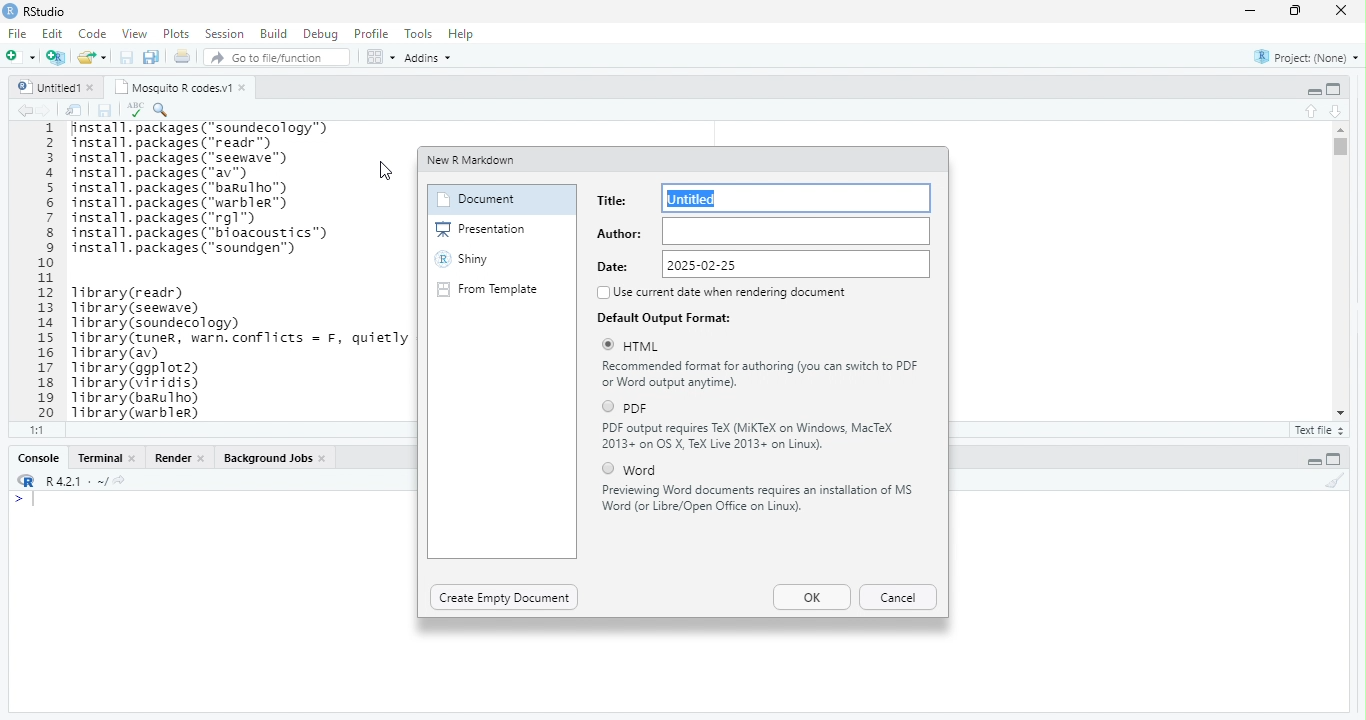 The image size is (1366, 720). I want to click on Profile, so click(373, 33).